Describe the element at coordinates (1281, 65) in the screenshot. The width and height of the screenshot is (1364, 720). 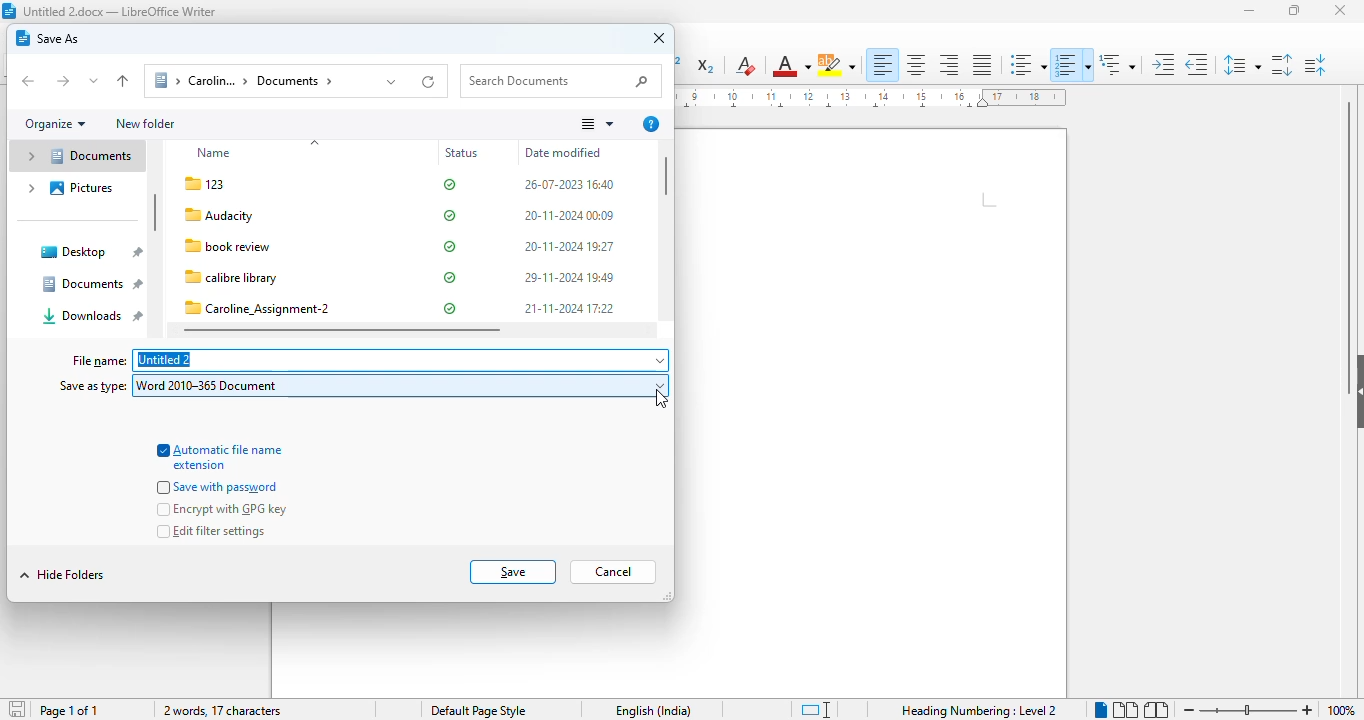
I see `increase paragraph spacing` at that location.